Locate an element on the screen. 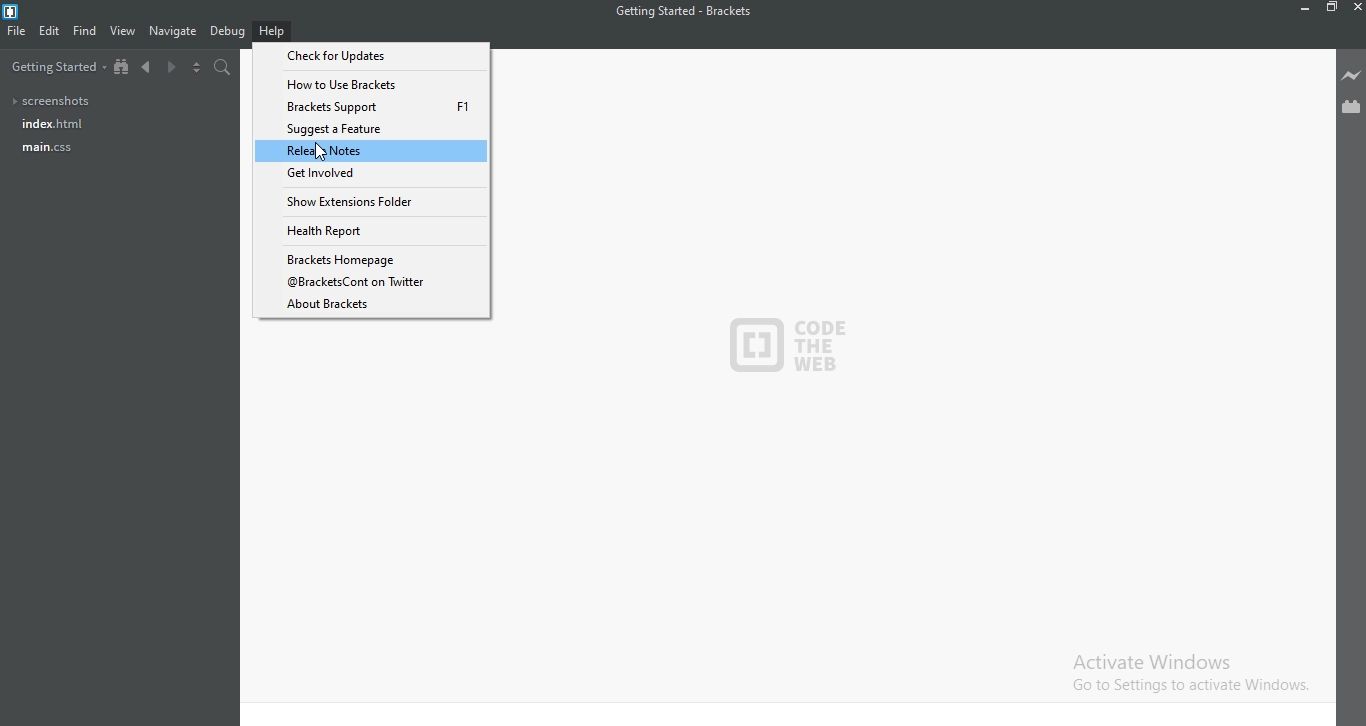  Debug is located at coordinates (228, 32).